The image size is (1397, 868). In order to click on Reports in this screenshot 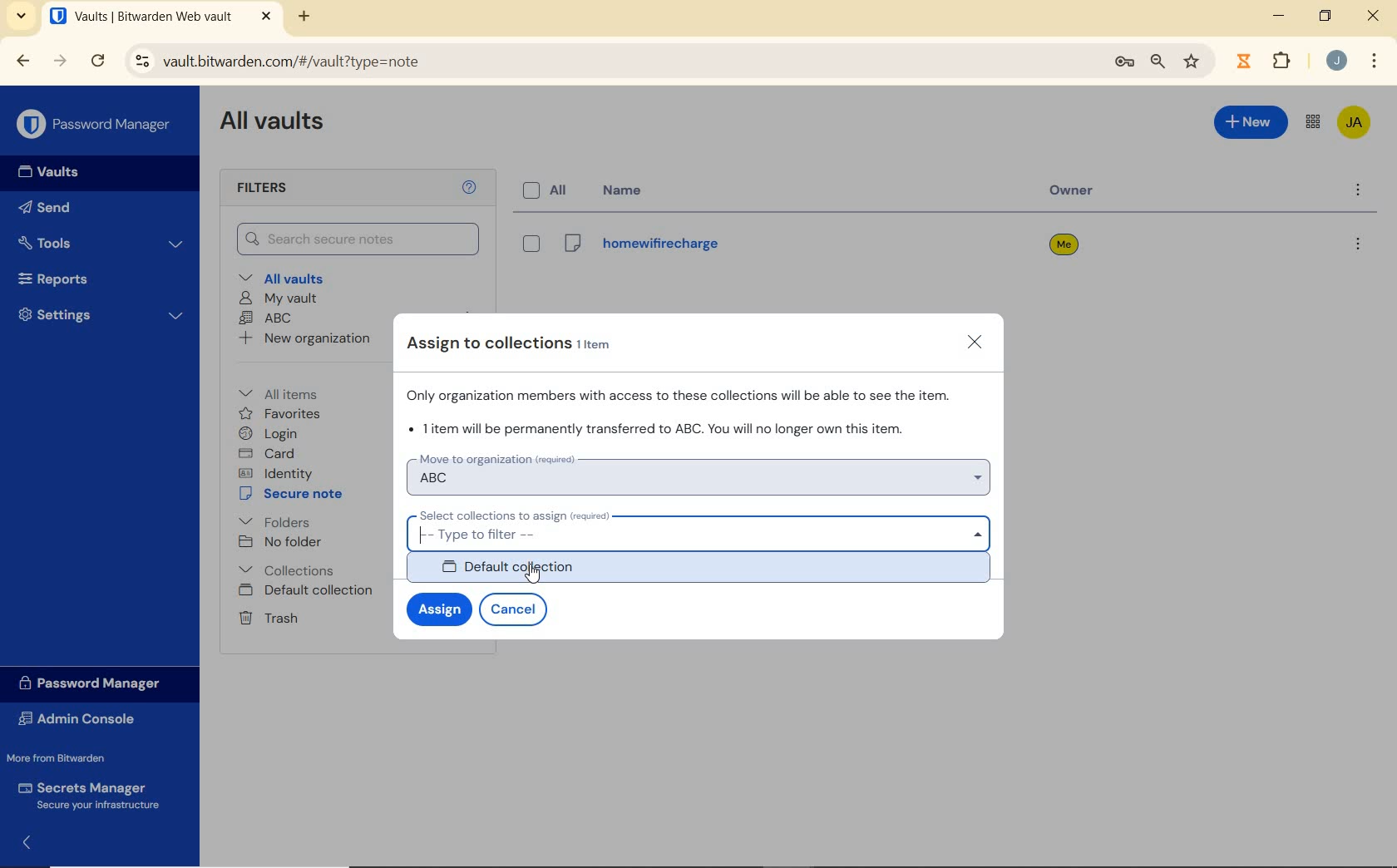, I will do `click(95, 277)`.